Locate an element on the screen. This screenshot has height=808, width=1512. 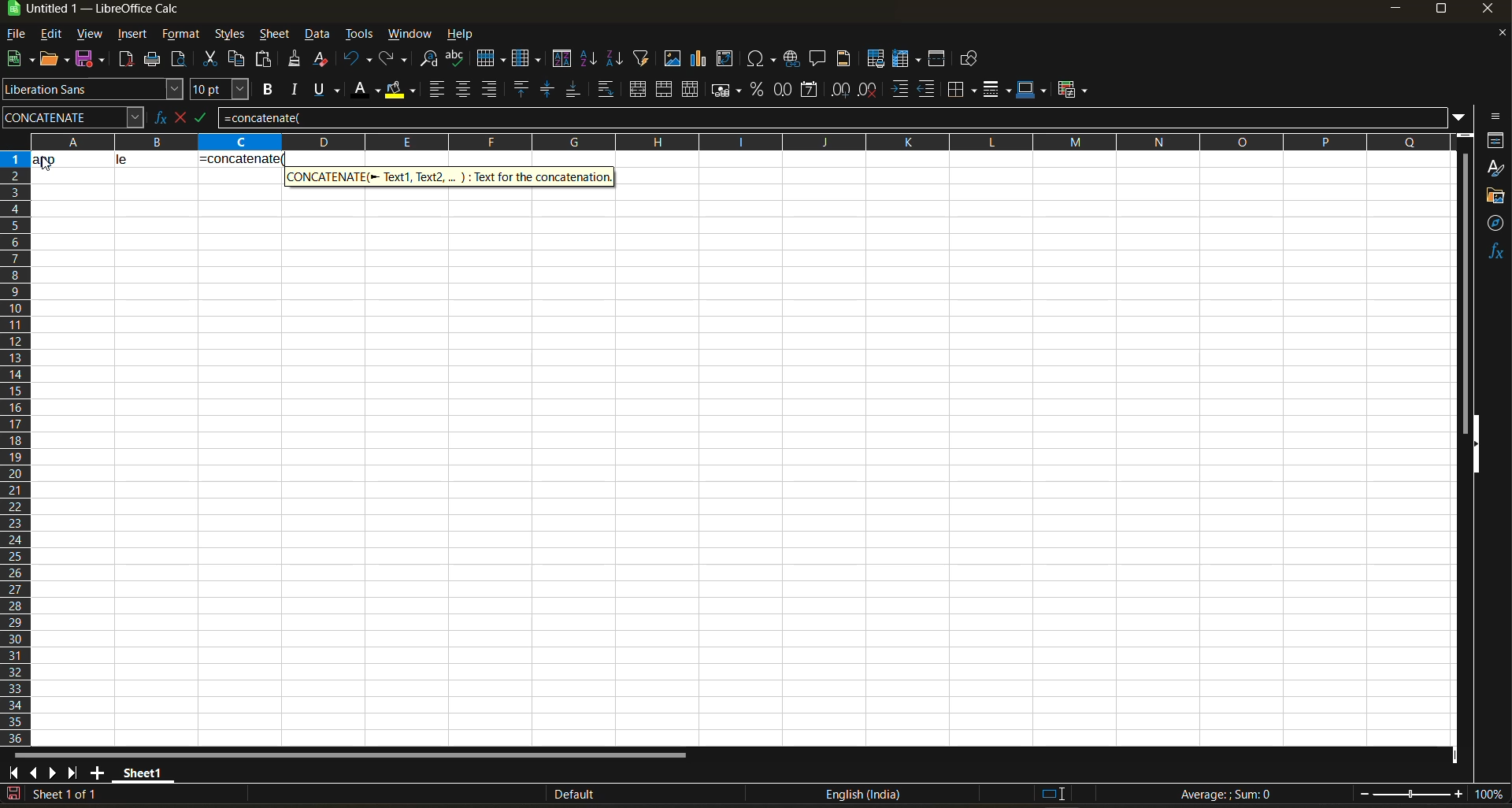
open is located at coordinates (56, 60).